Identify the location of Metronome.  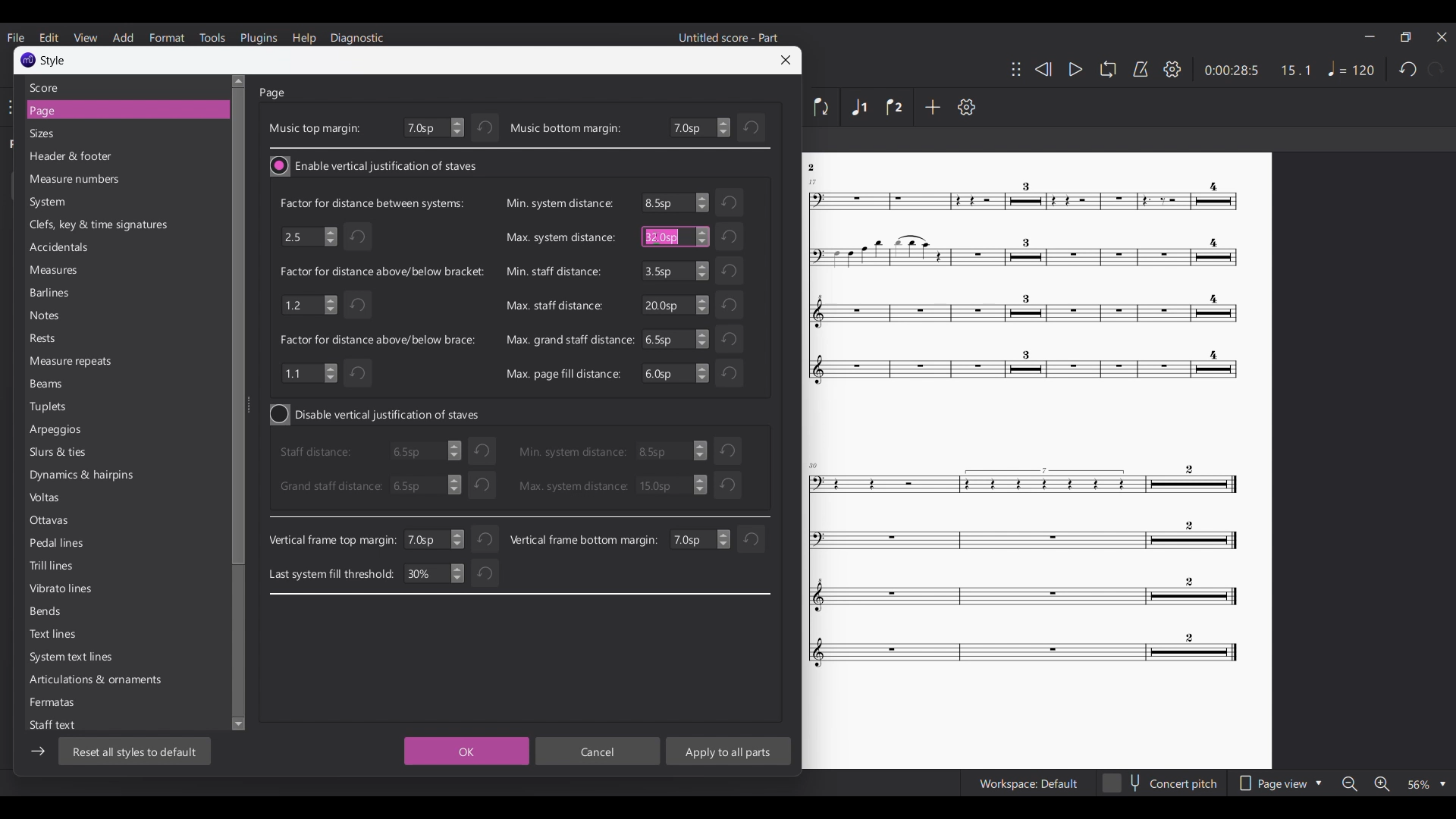
(1141, 69).